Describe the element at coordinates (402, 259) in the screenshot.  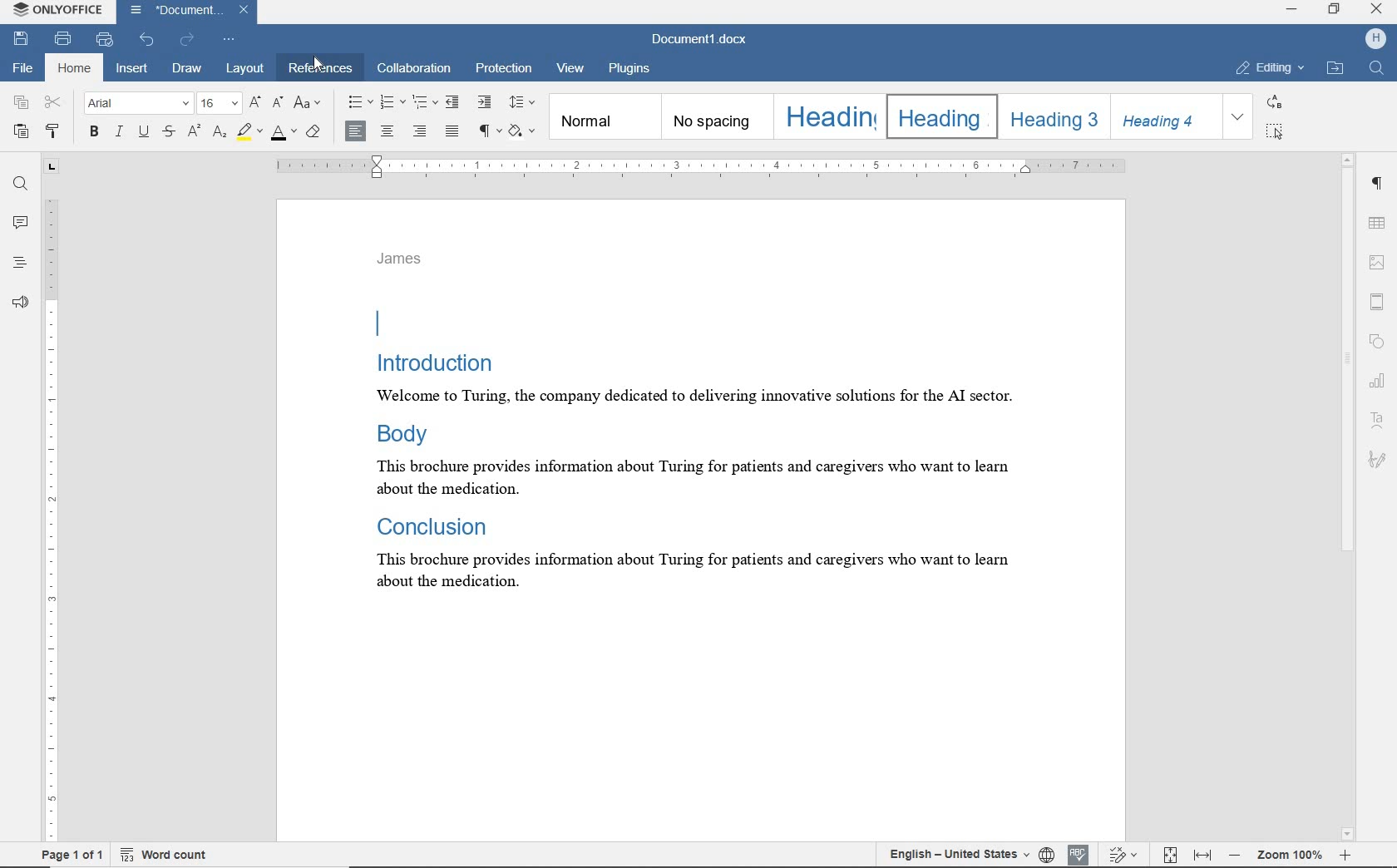
I see `James` at that location.